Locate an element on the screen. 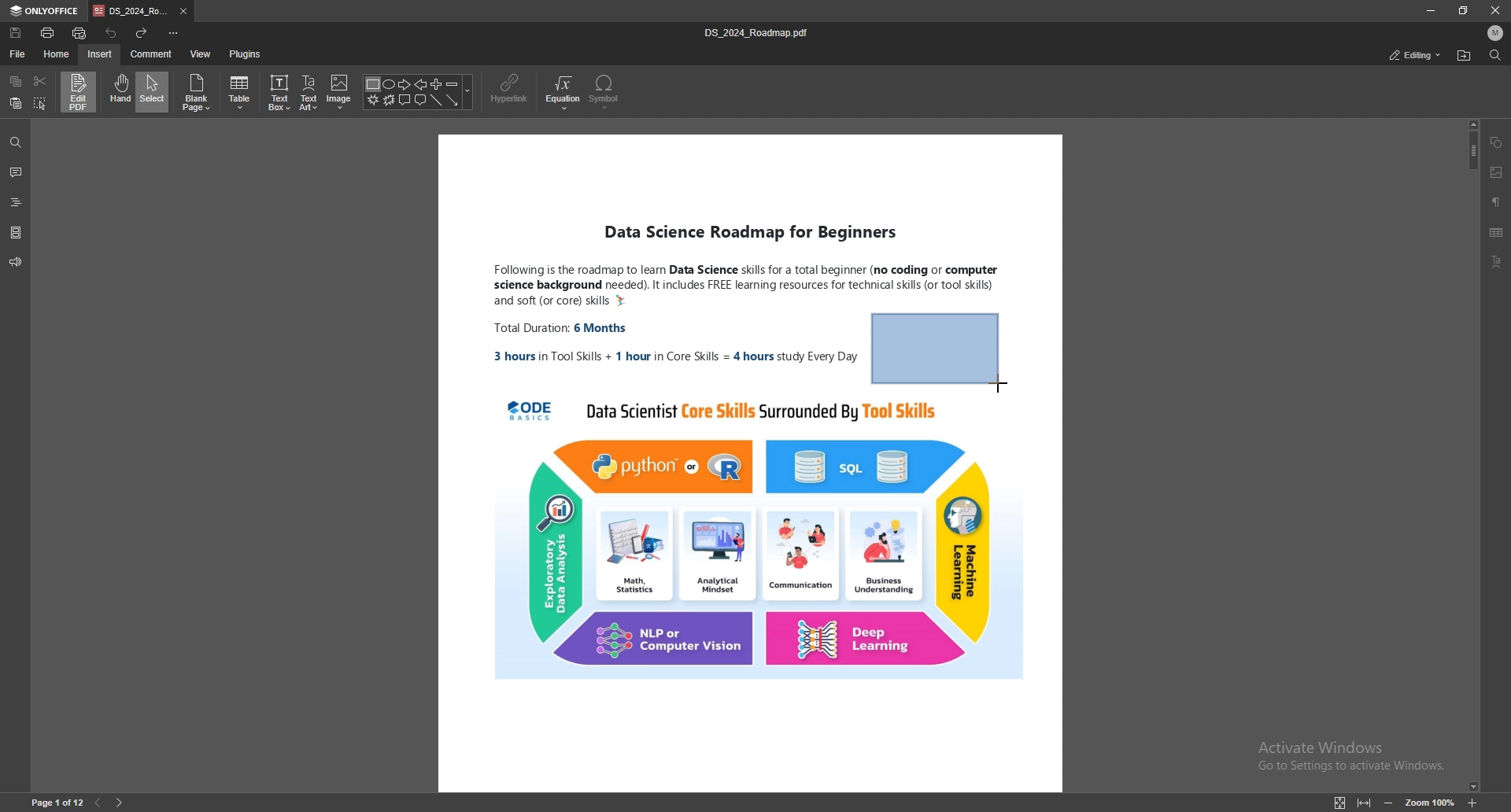  customize quick access toolbar is located at coordinates (174, 33).